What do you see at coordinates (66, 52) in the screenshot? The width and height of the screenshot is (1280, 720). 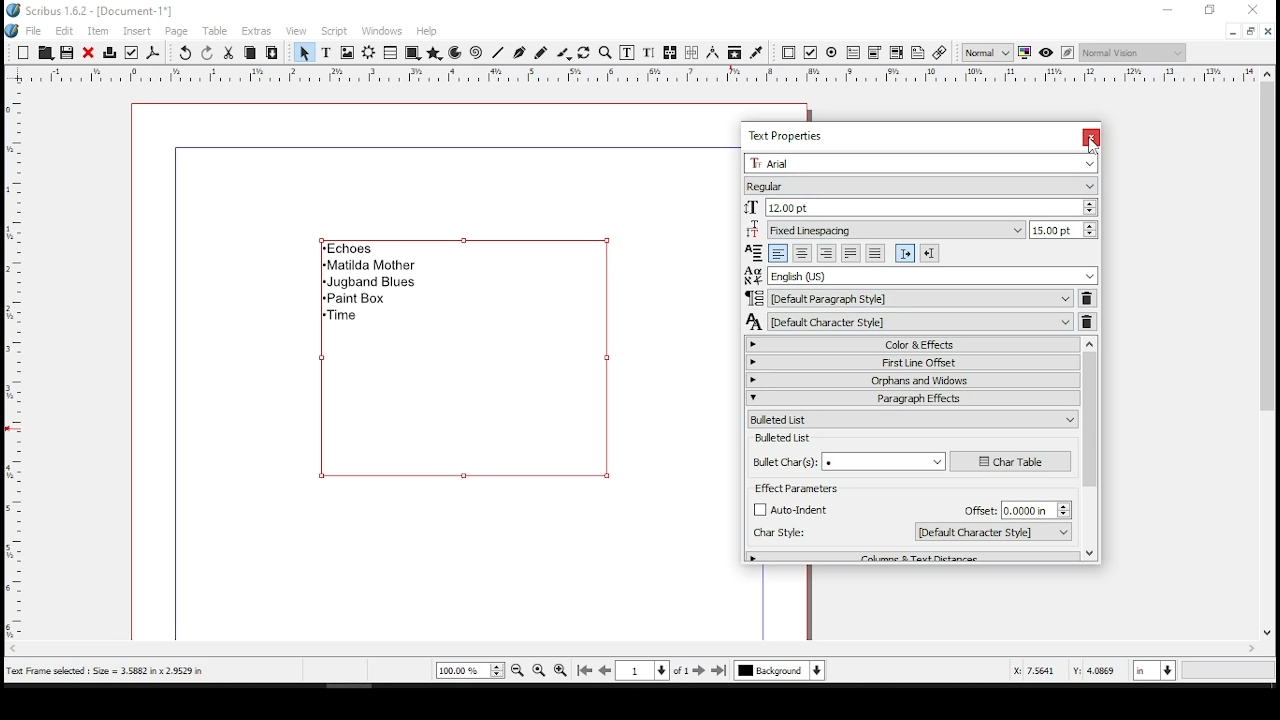 I see `save` at bounding box center [66, 52].